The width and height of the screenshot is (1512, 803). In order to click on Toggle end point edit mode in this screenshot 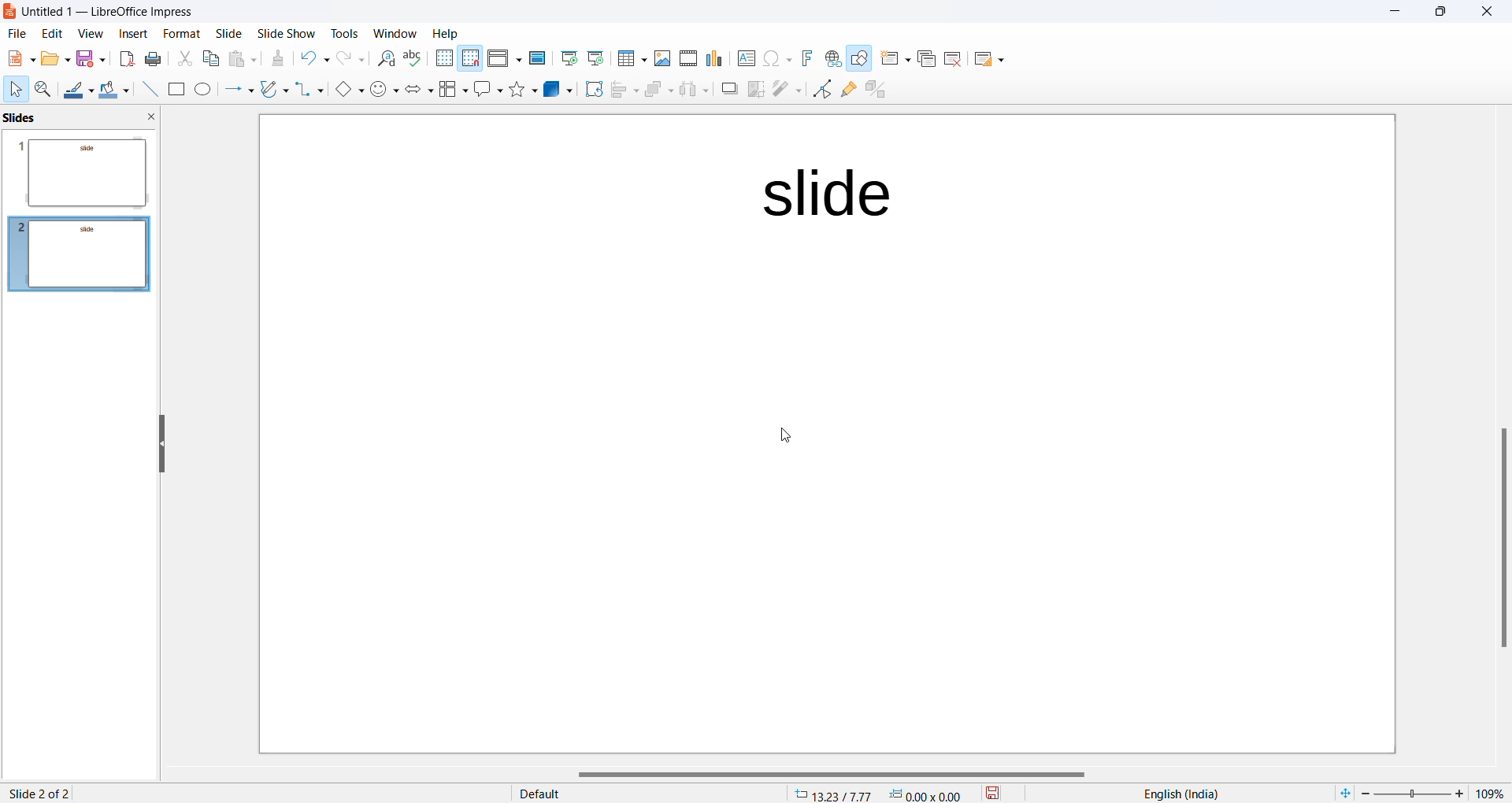, I will do `click(820, 90)`.